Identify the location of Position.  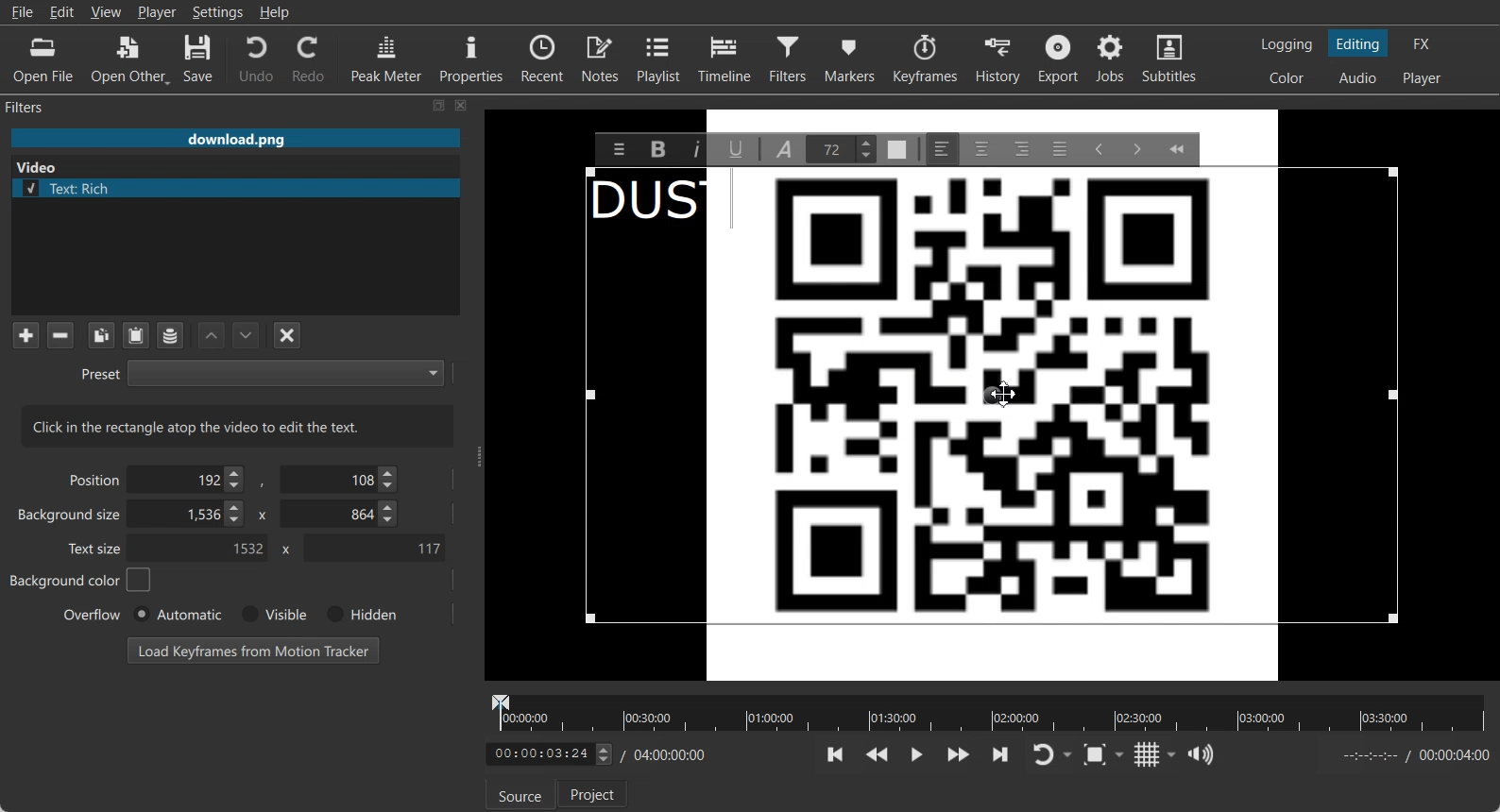
(91, 479).